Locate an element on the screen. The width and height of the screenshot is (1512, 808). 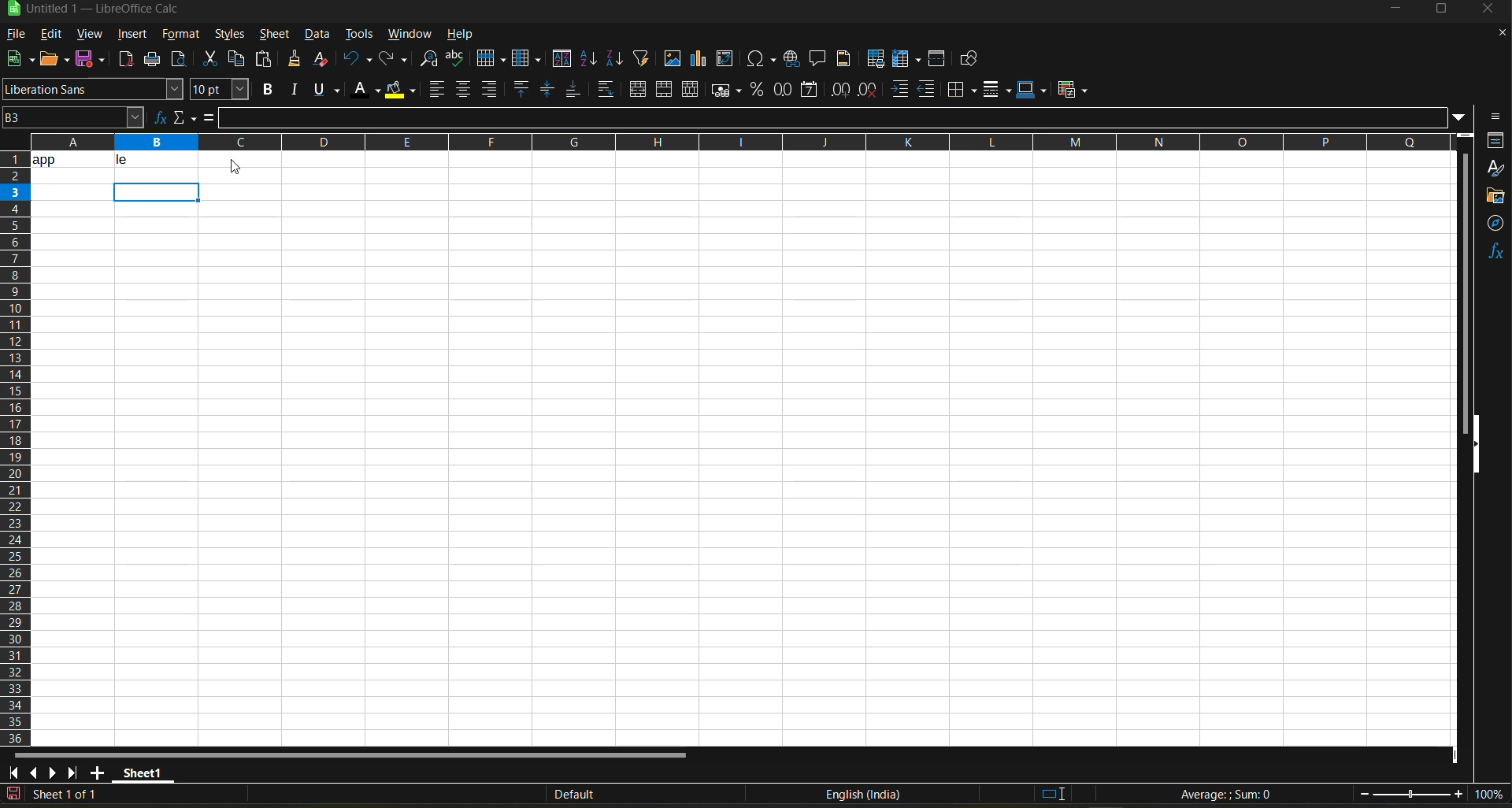
Default is located at coordinates (561, 795).